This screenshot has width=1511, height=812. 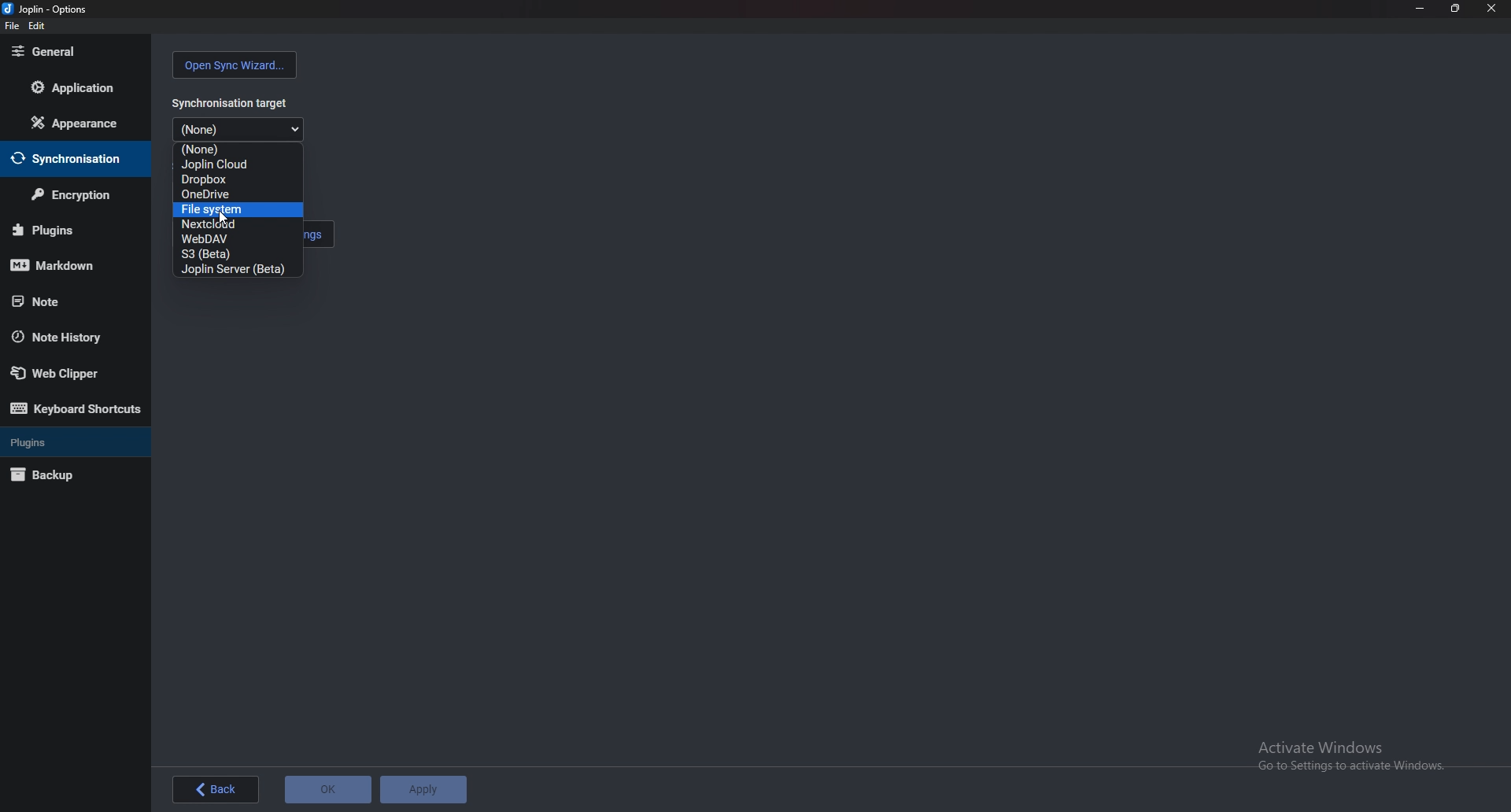 I want to click on OK, so click(x=329, y=788).